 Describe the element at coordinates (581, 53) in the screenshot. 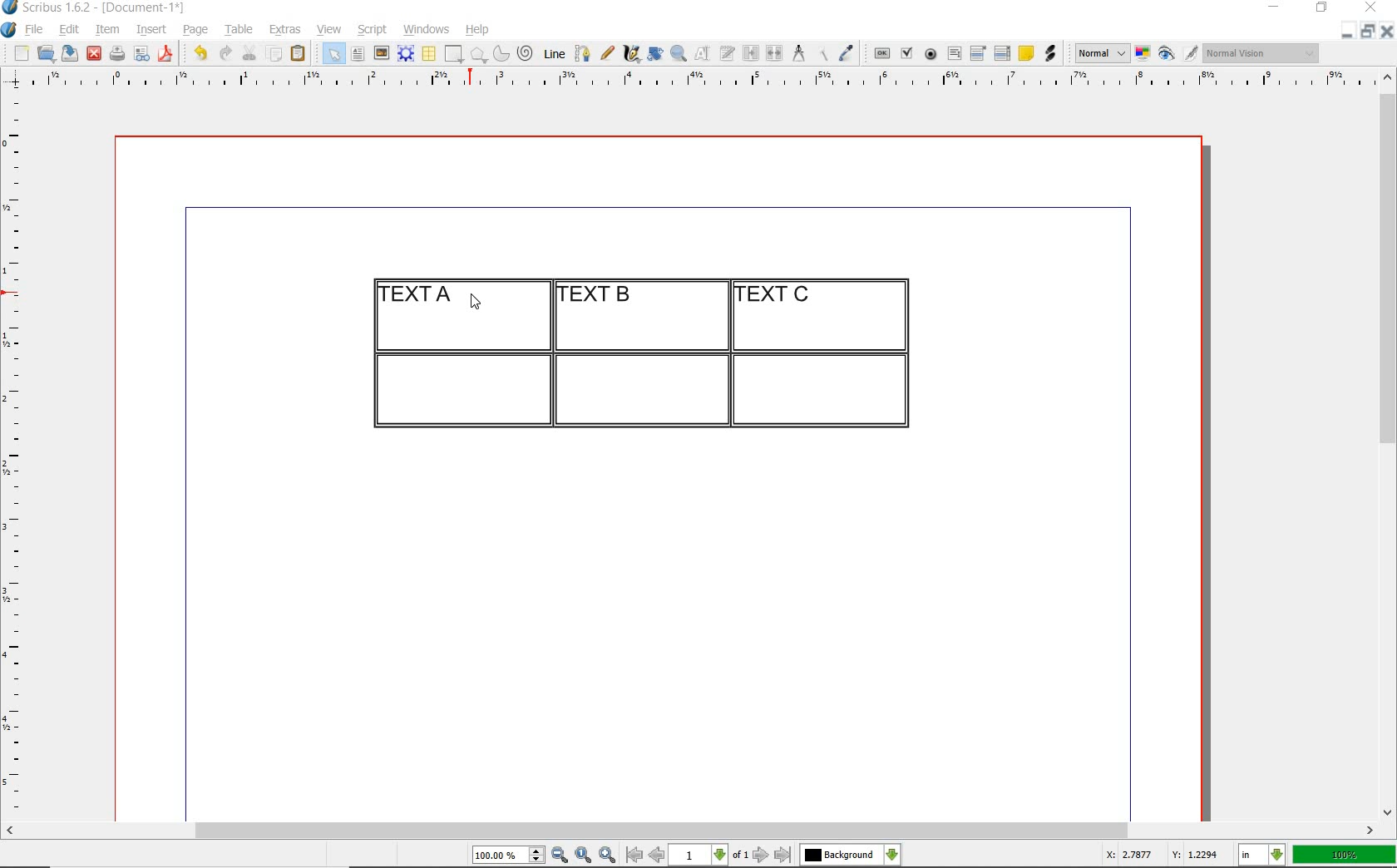

I see `Bezier curve` at that location.